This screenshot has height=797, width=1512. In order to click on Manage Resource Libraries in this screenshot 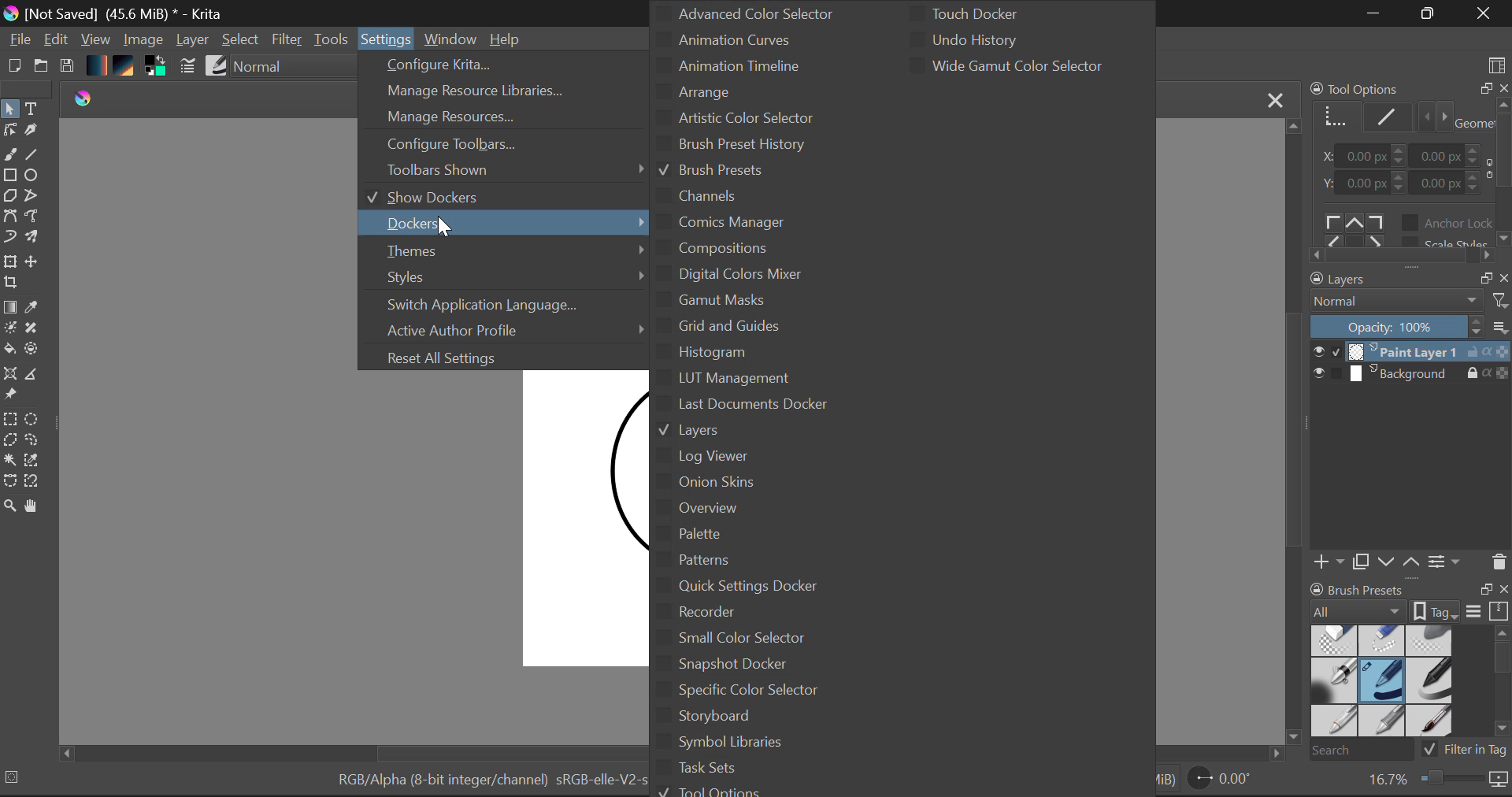, I will do `click(504, 91)`.